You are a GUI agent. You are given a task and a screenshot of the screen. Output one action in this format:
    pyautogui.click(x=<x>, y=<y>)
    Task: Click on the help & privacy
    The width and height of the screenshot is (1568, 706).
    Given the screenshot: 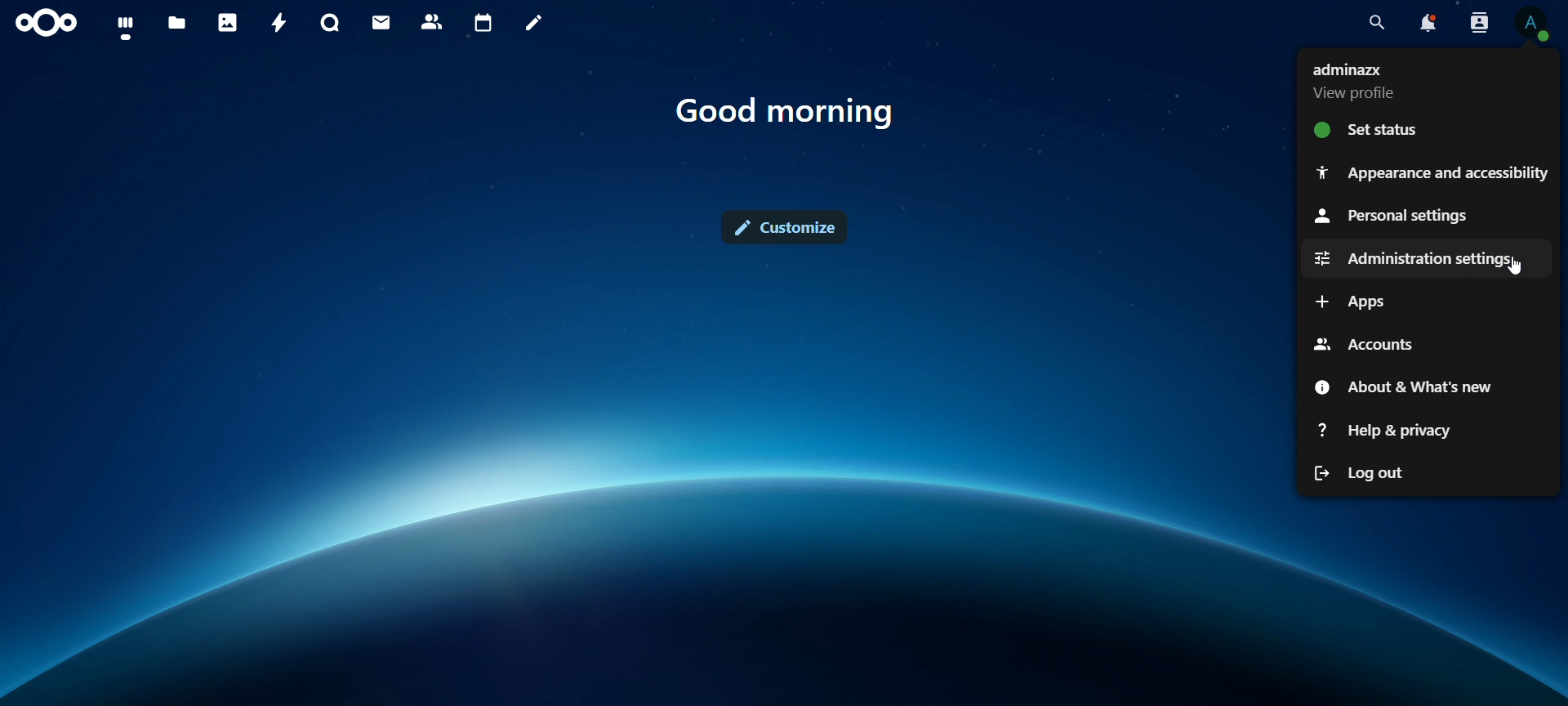 What is the action you would take?
    pyautogui.click(x=1387, y=428)
    